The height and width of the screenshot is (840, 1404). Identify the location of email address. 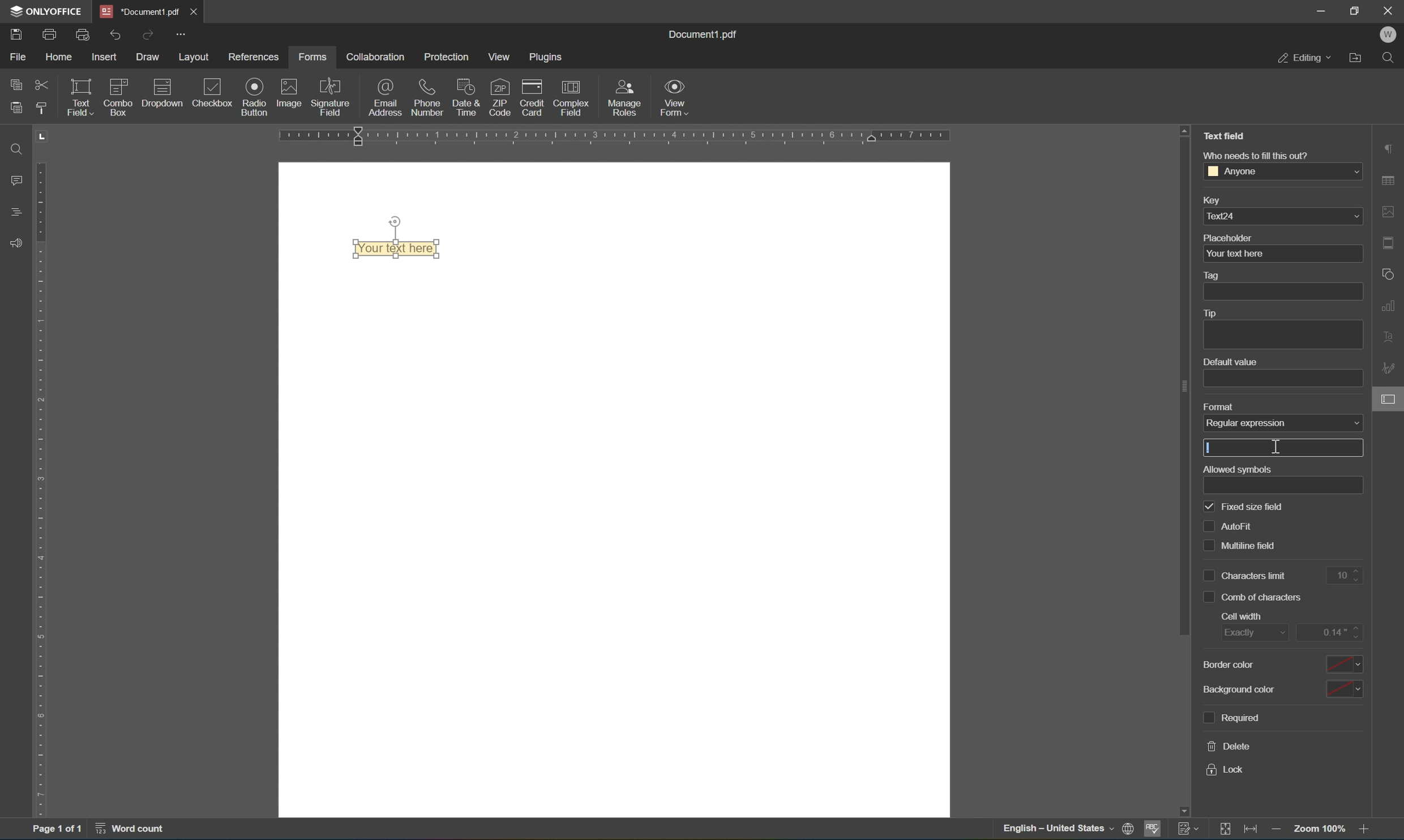
(386, 97).